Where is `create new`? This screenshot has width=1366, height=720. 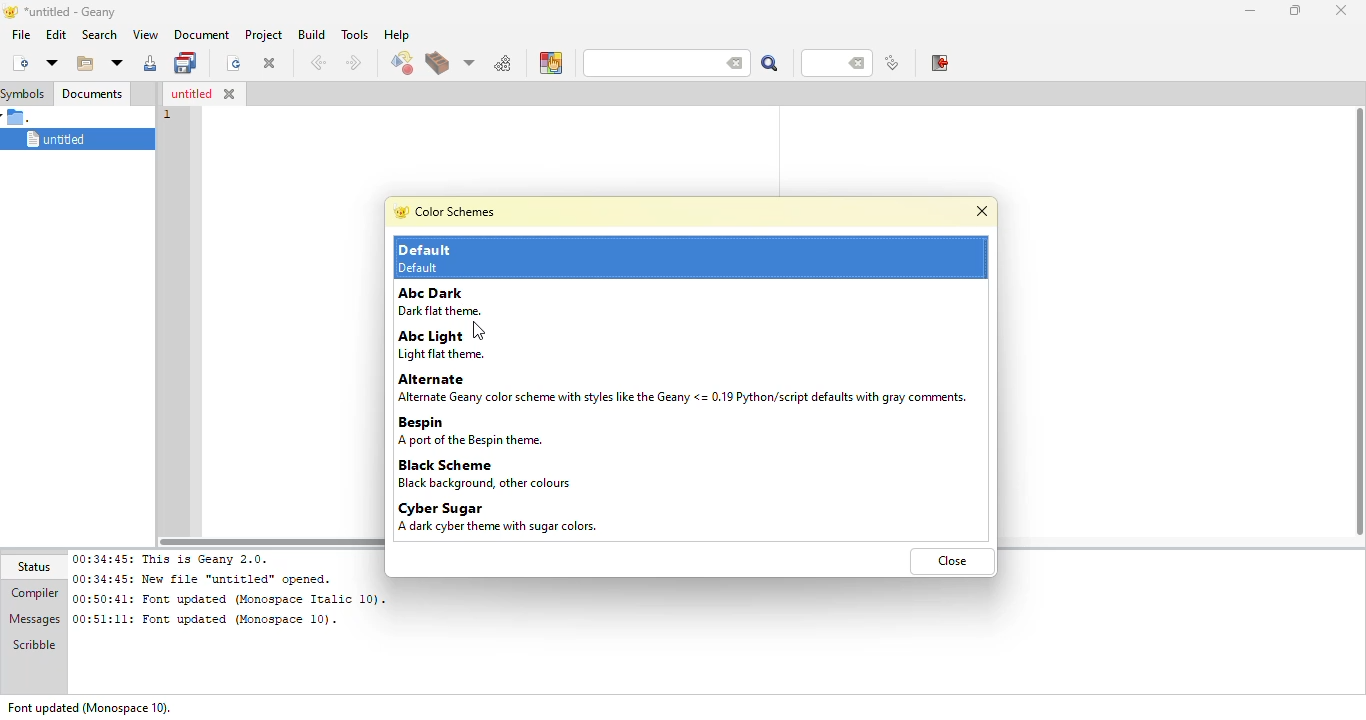 create new is located at coordinates (19, 62).